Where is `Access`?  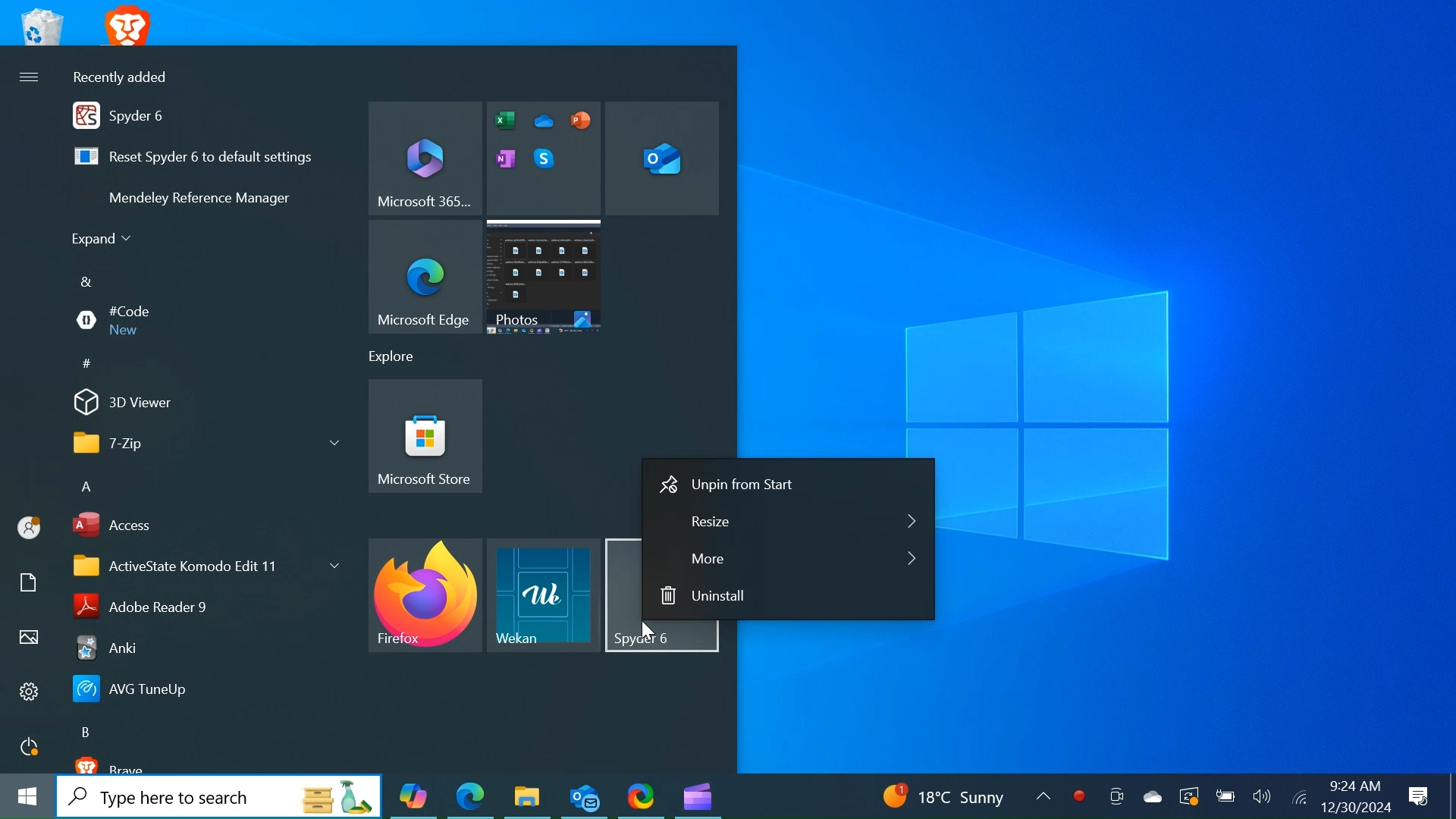 Access is located at coordinates (202, 526).